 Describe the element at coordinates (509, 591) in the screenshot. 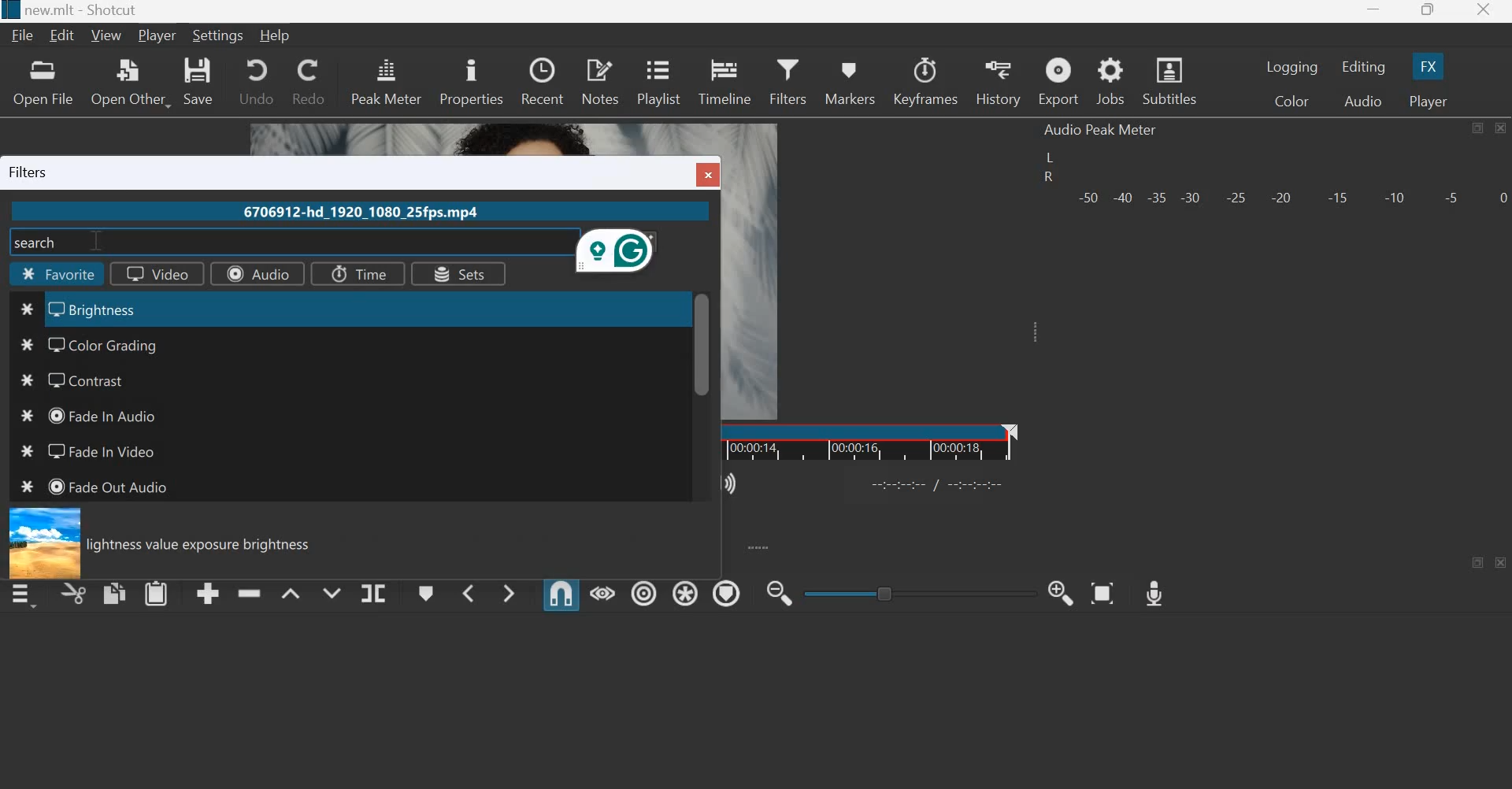

I see `Next Marker` at that location.